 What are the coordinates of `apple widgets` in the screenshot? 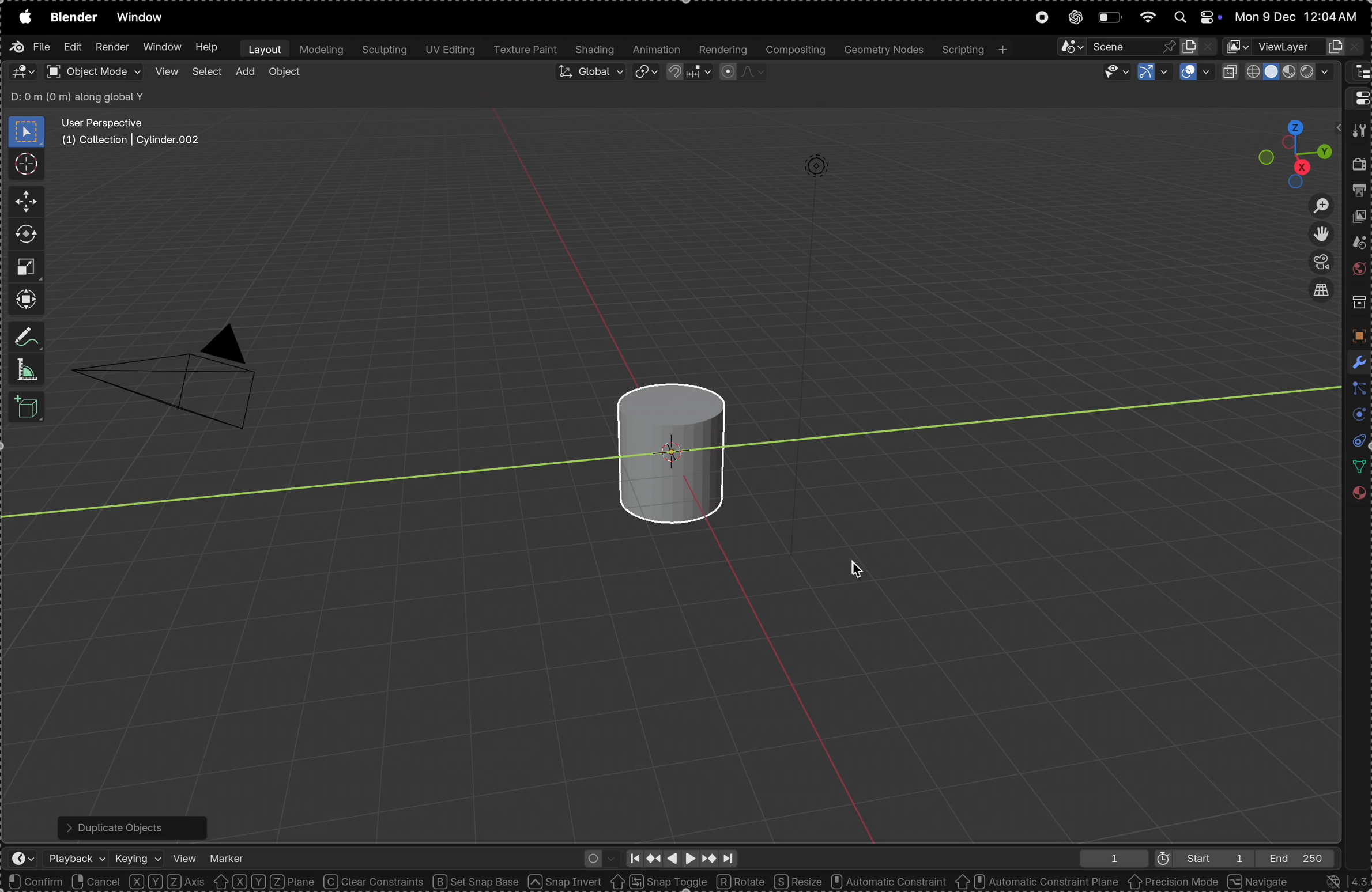 It's located at (1193, 17).